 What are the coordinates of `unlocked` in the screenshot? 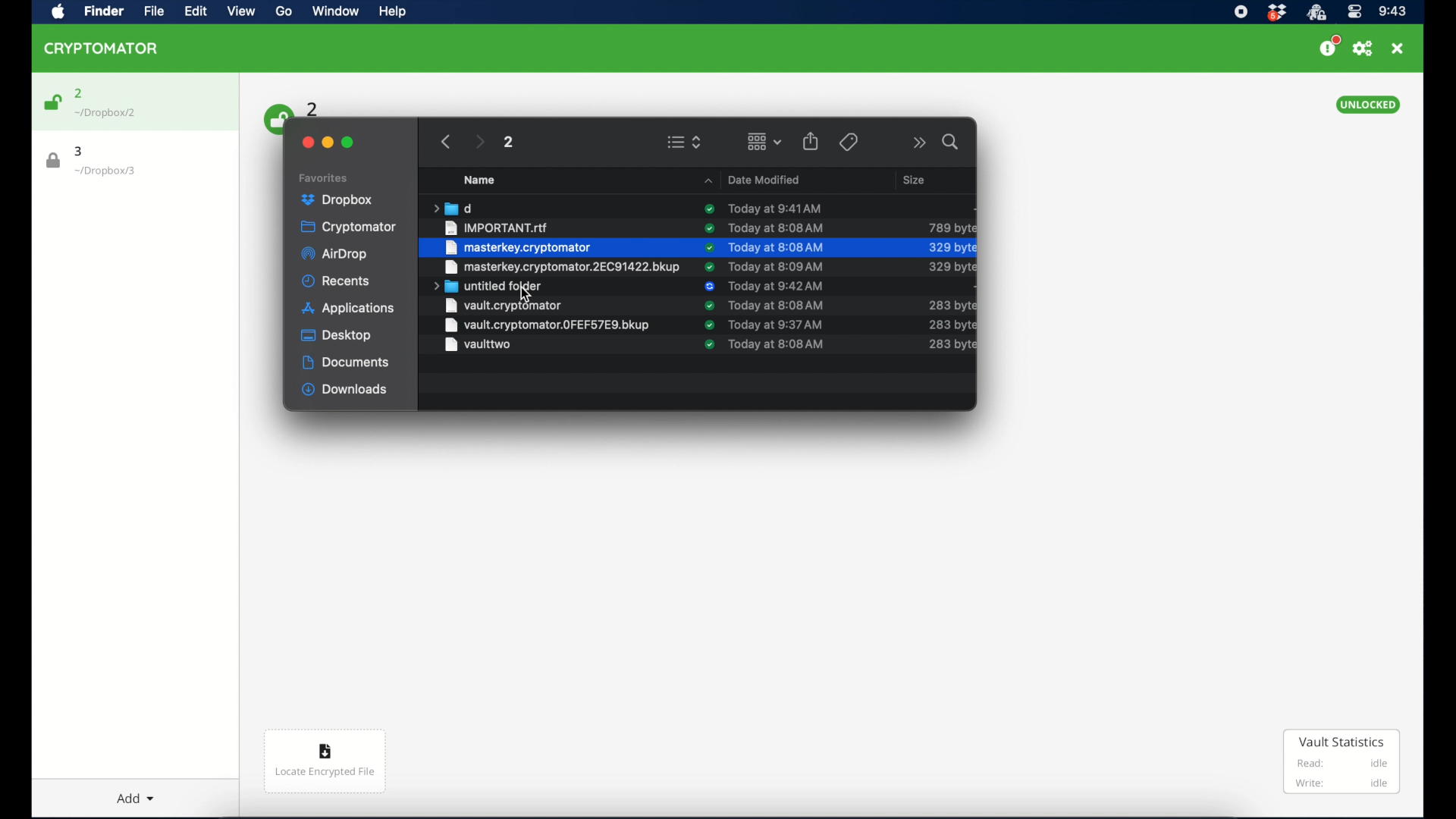 It's located at (1367, 105).